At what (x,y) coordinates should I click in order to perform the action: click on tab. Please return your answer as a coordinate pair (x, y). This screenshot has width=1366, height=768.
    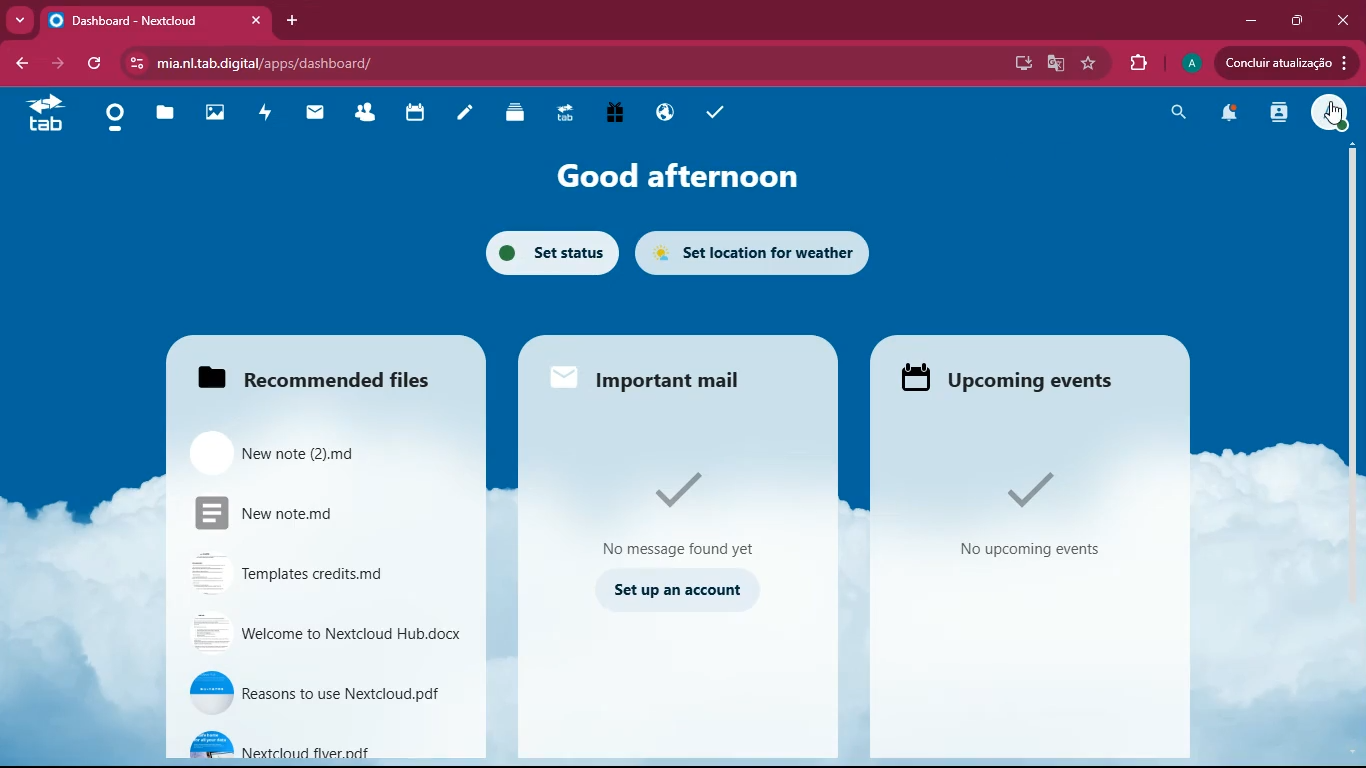
    Looking at the image, I should click on (562, 117).